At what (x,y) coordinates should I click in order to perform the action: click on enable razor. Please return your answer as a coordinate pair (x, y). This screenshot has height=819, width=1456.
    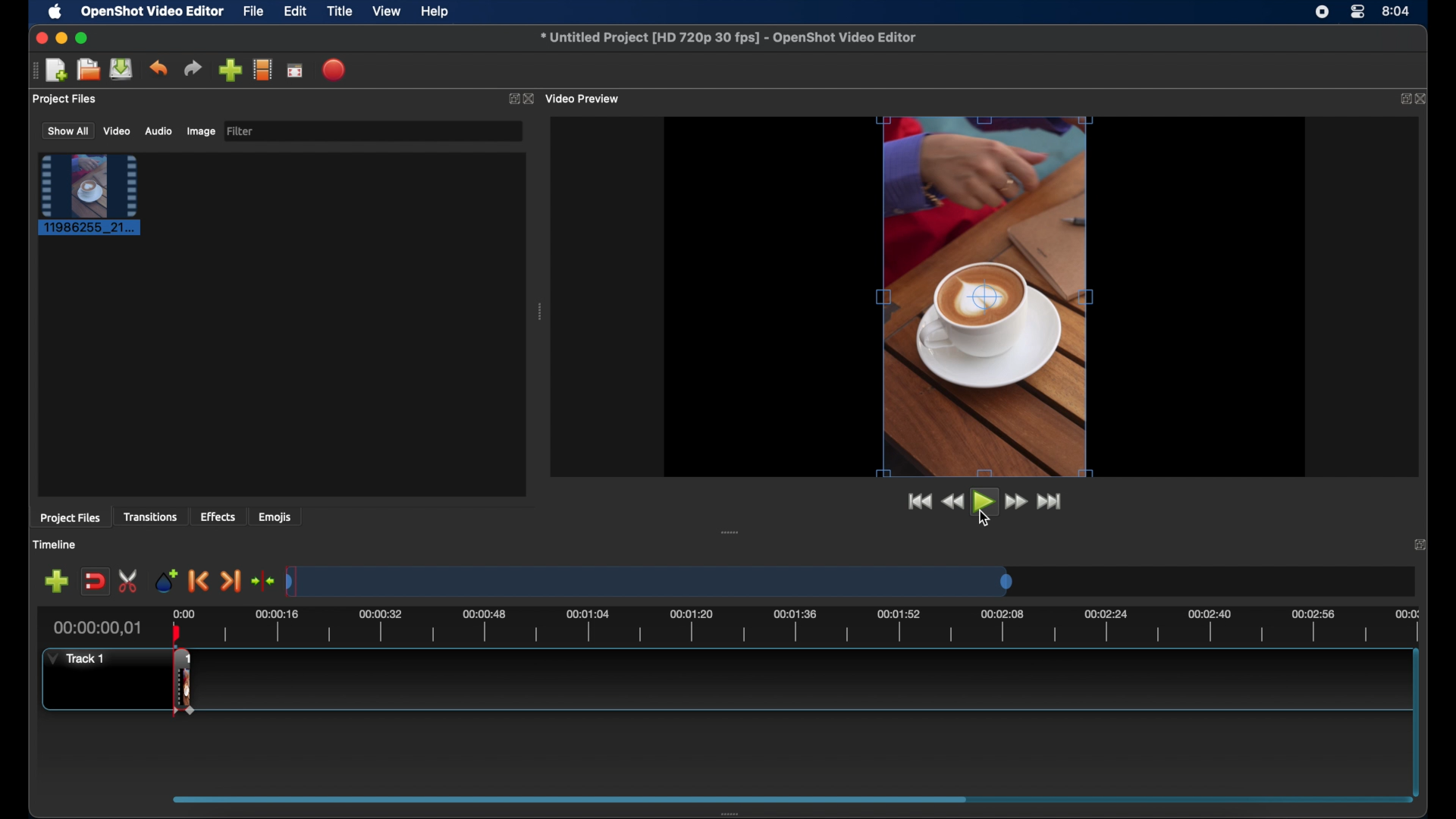
    Looking at the image, I should click on (130, 581).